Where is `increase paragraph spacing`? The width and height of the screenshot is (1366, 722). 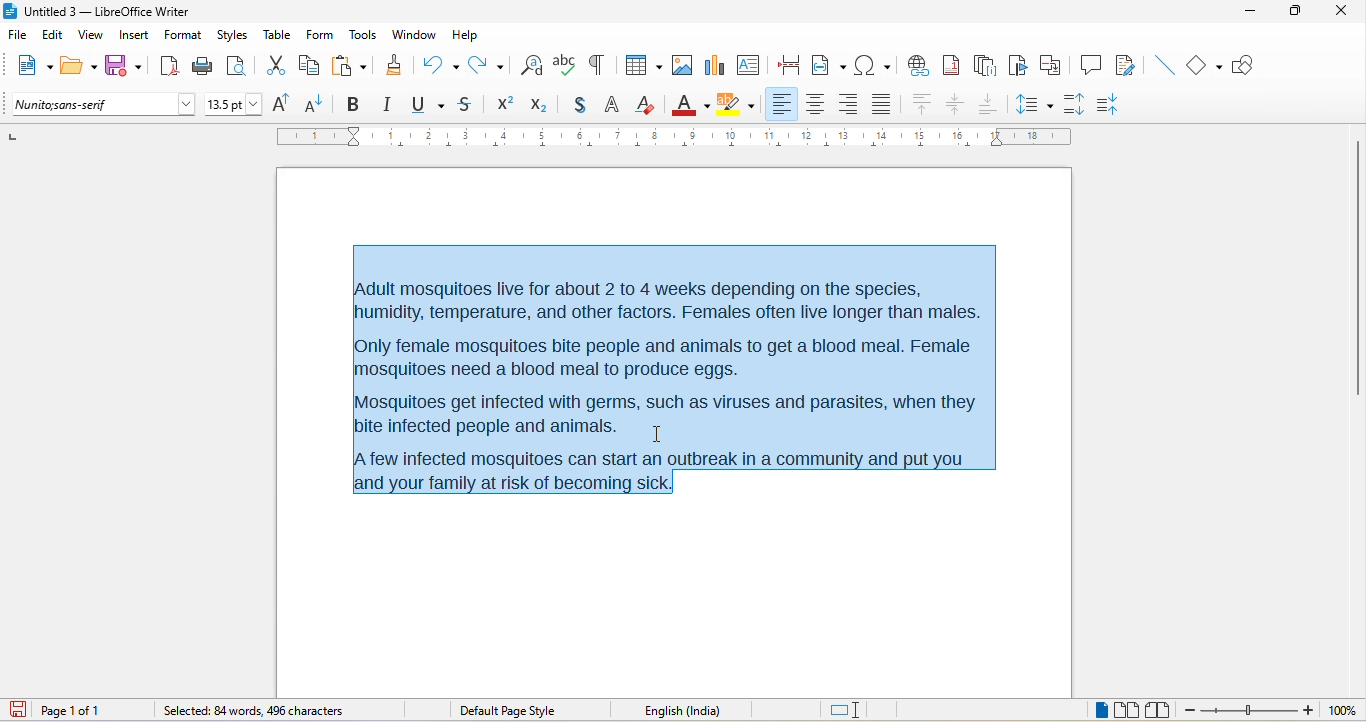
increase paragraph spacing is located at coordinates (1073, 102).